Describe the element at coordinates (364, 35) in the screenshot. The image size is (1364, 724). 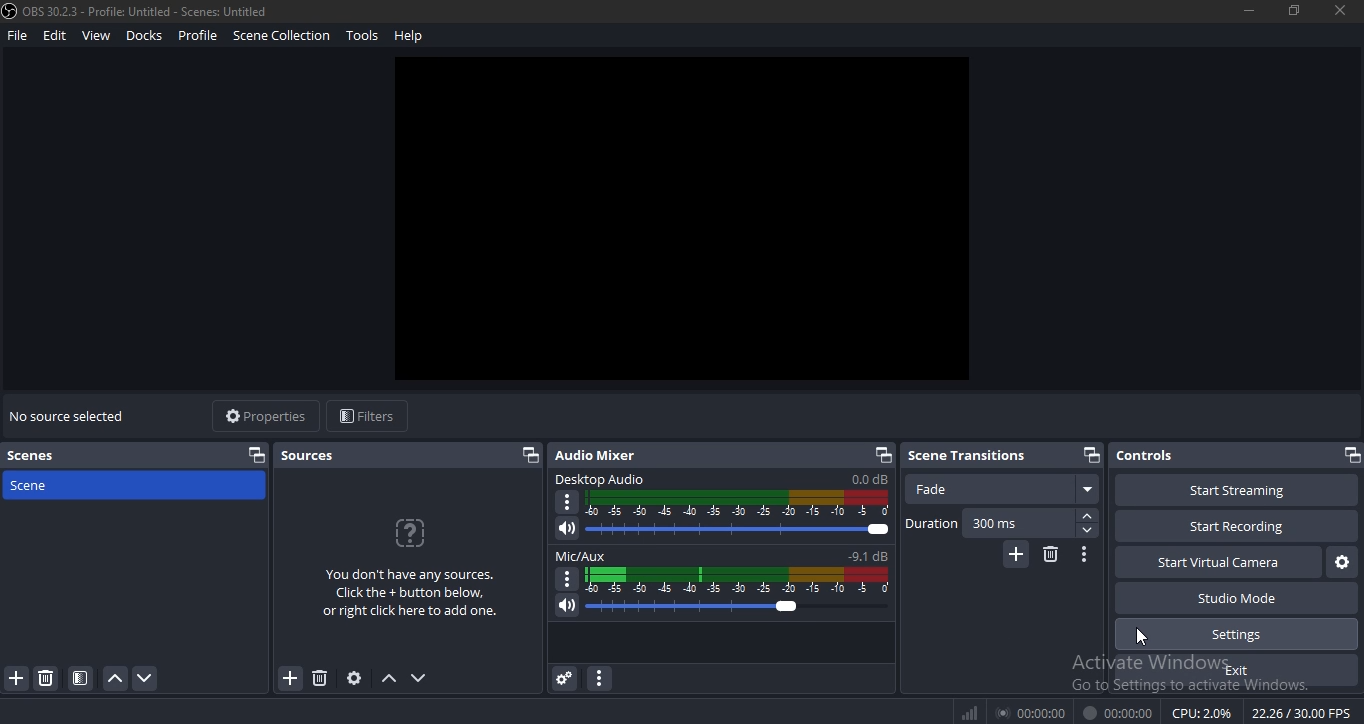
I see `tools` at that location.